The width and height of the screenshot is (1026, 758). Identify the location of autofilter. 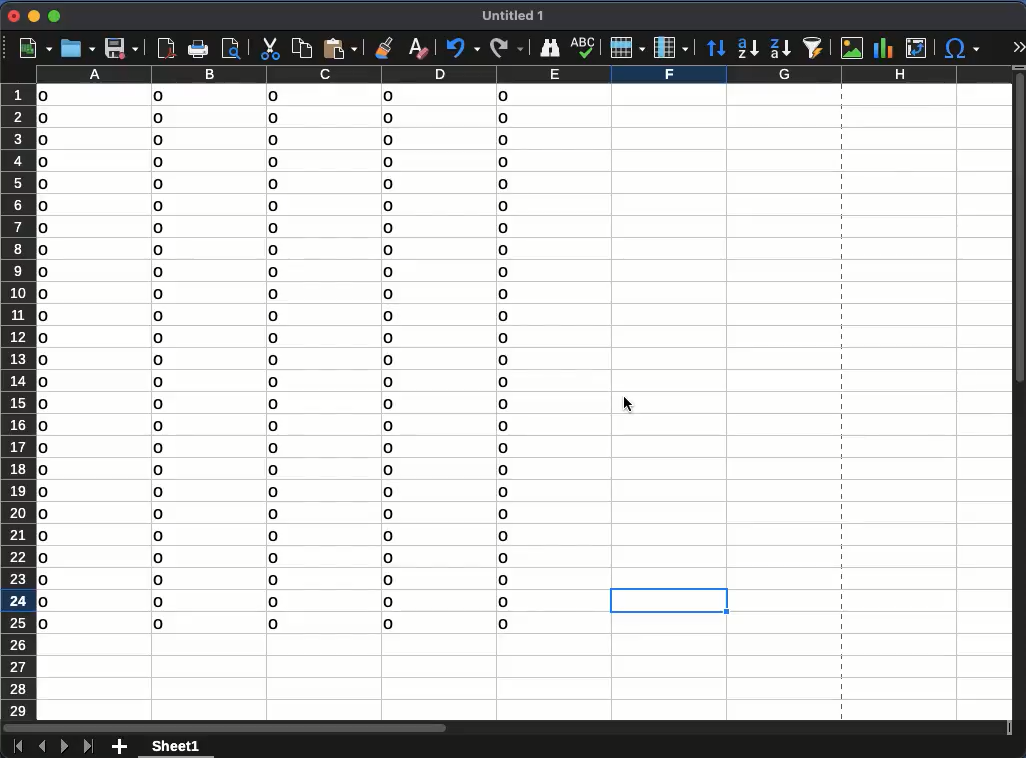
(814, 46).